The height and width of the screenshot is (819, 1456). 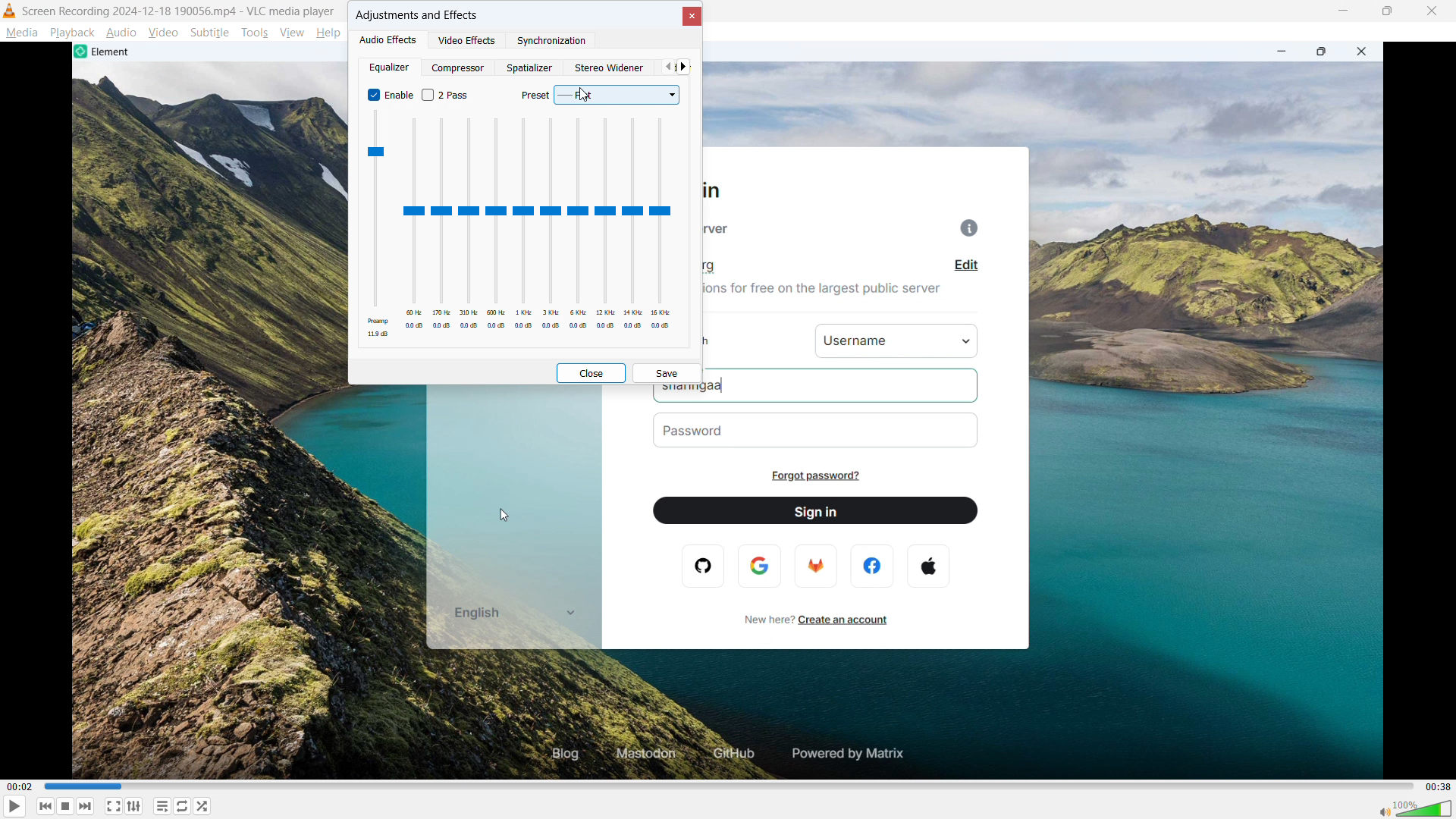 I want to click on help , so click(x=329, y=33).